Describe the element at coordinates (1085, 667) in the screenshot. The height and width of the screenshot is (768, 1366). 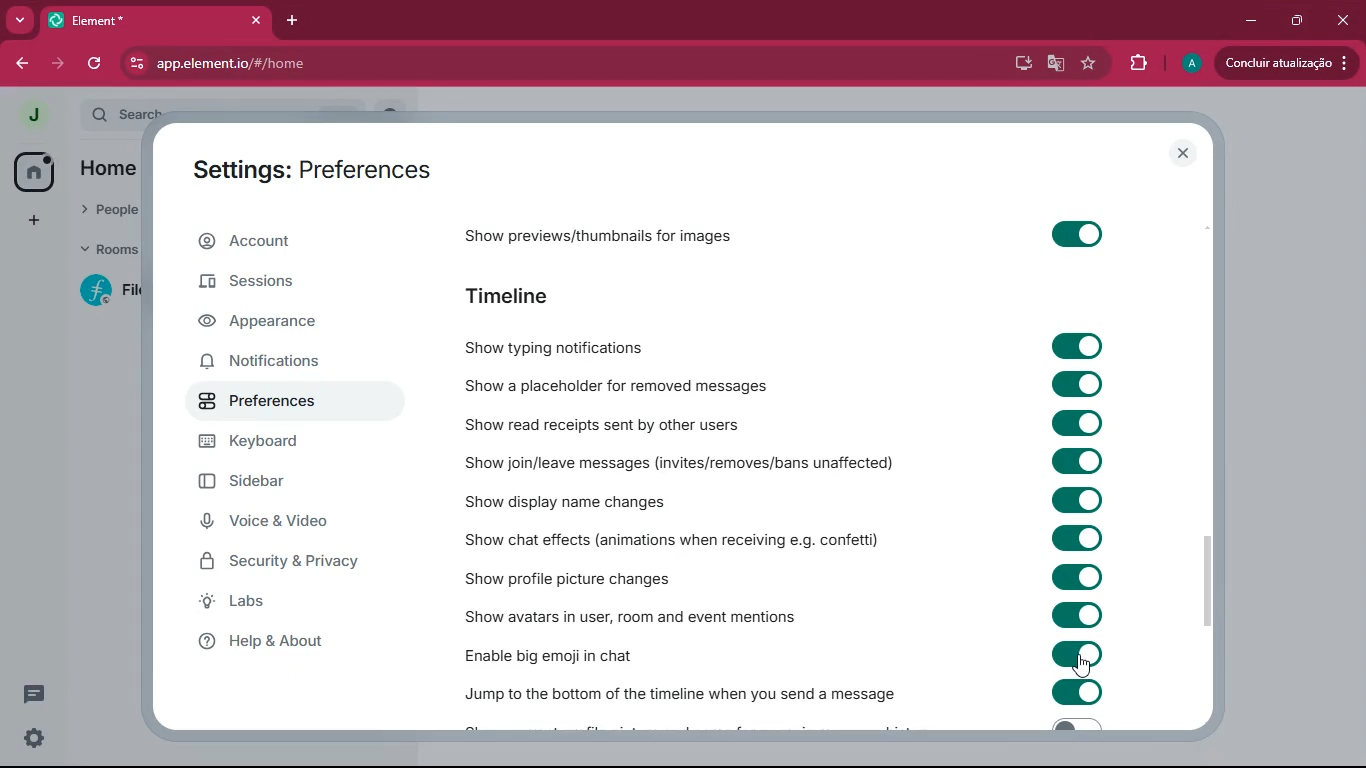
I see `cursor on toggle on` at that location.